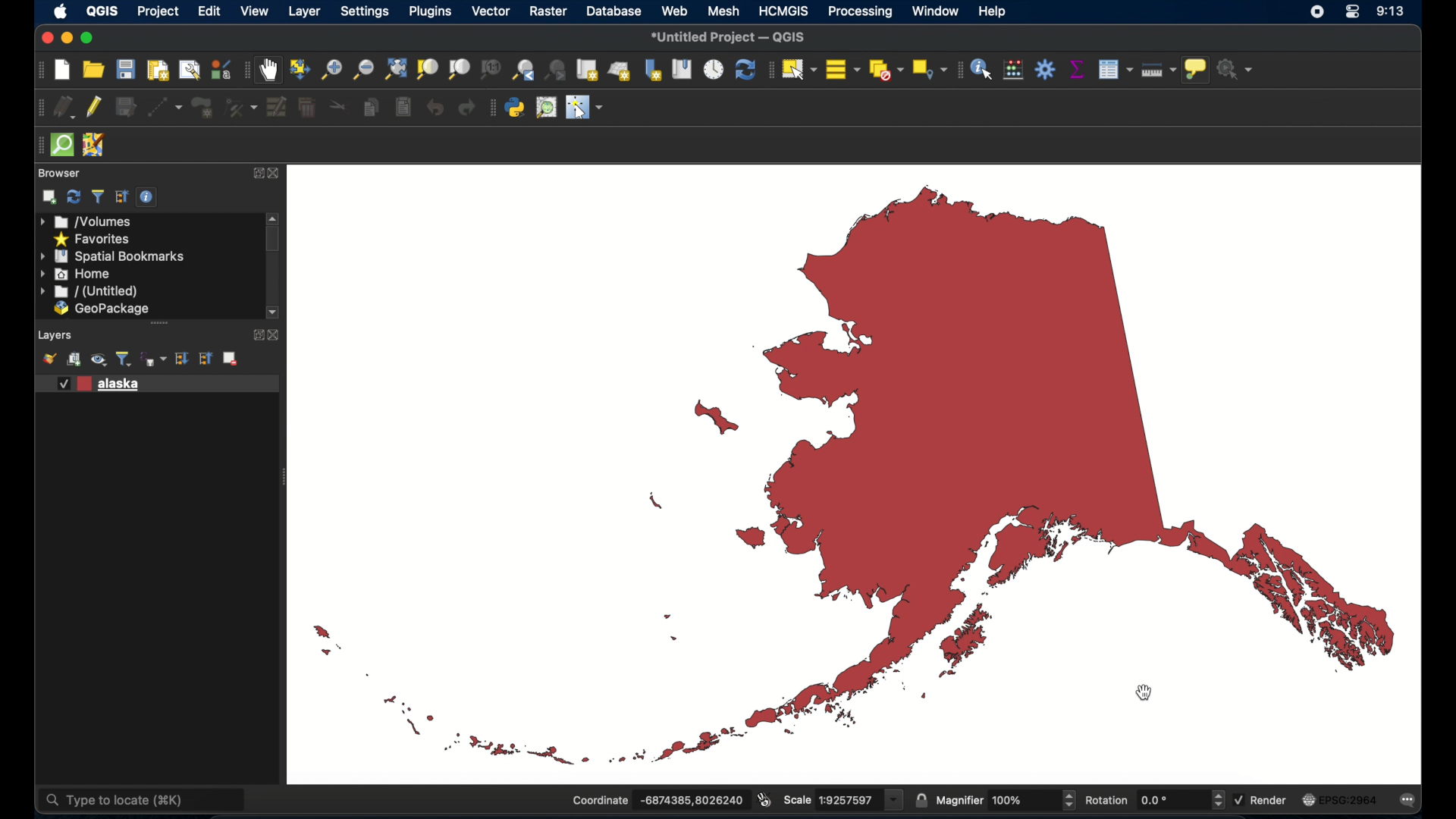 The height and width of the screenshot is (819, 1456). I want to click on favorites, so click(93, 238).